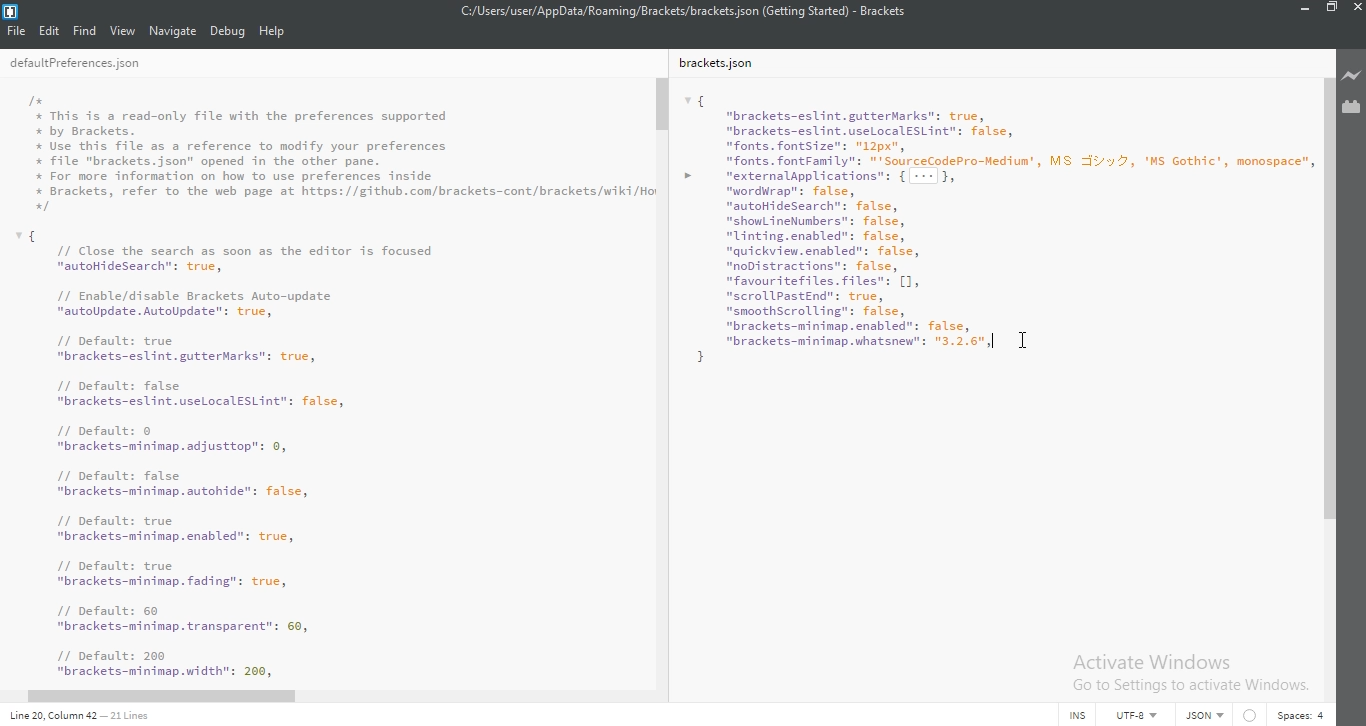  I want to click on JSON, so click(1201, 716).